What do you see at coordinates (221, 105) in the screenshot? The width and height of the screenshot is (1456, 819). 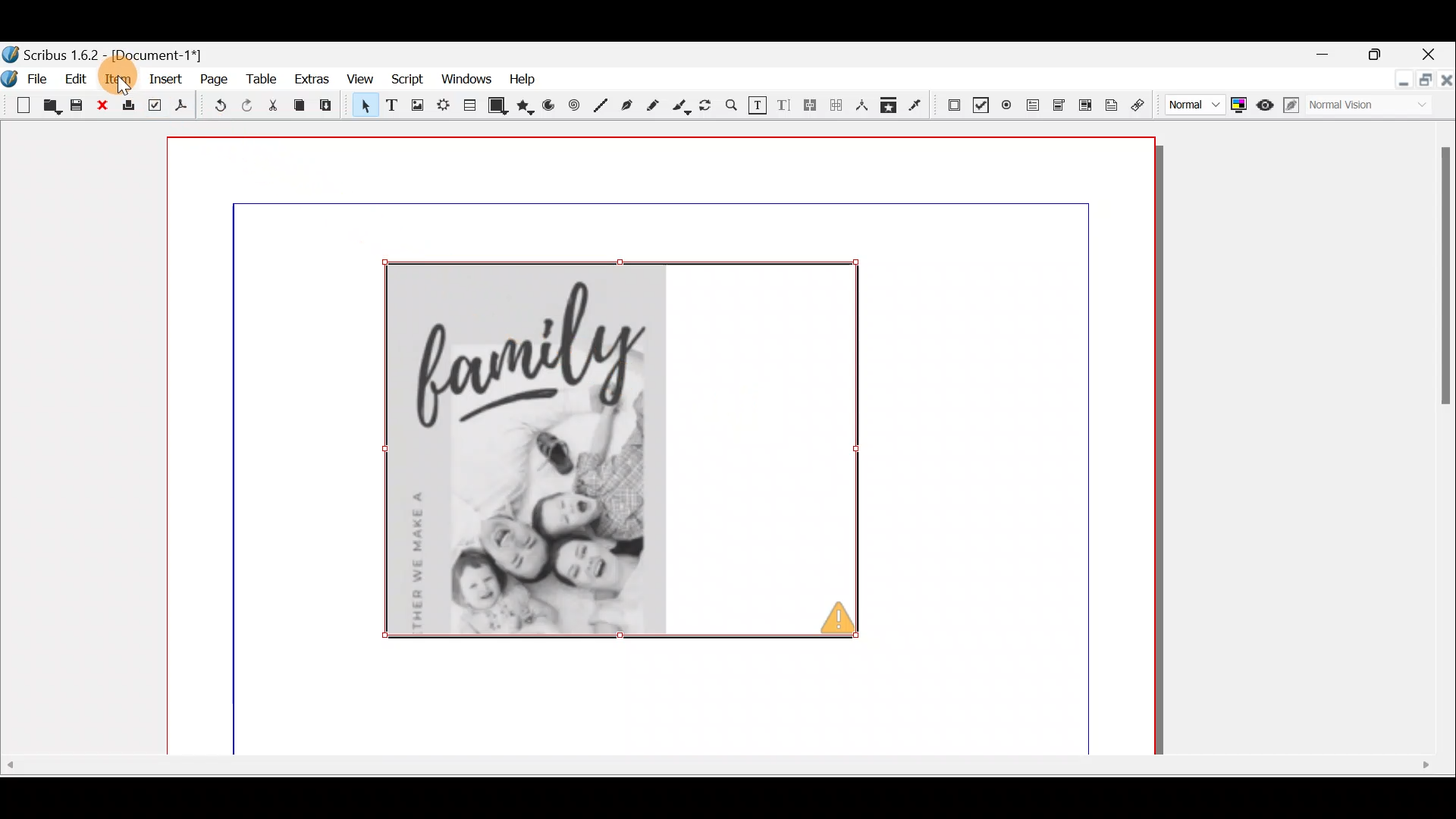 I see `Undo` at bounding box center [221, 105].